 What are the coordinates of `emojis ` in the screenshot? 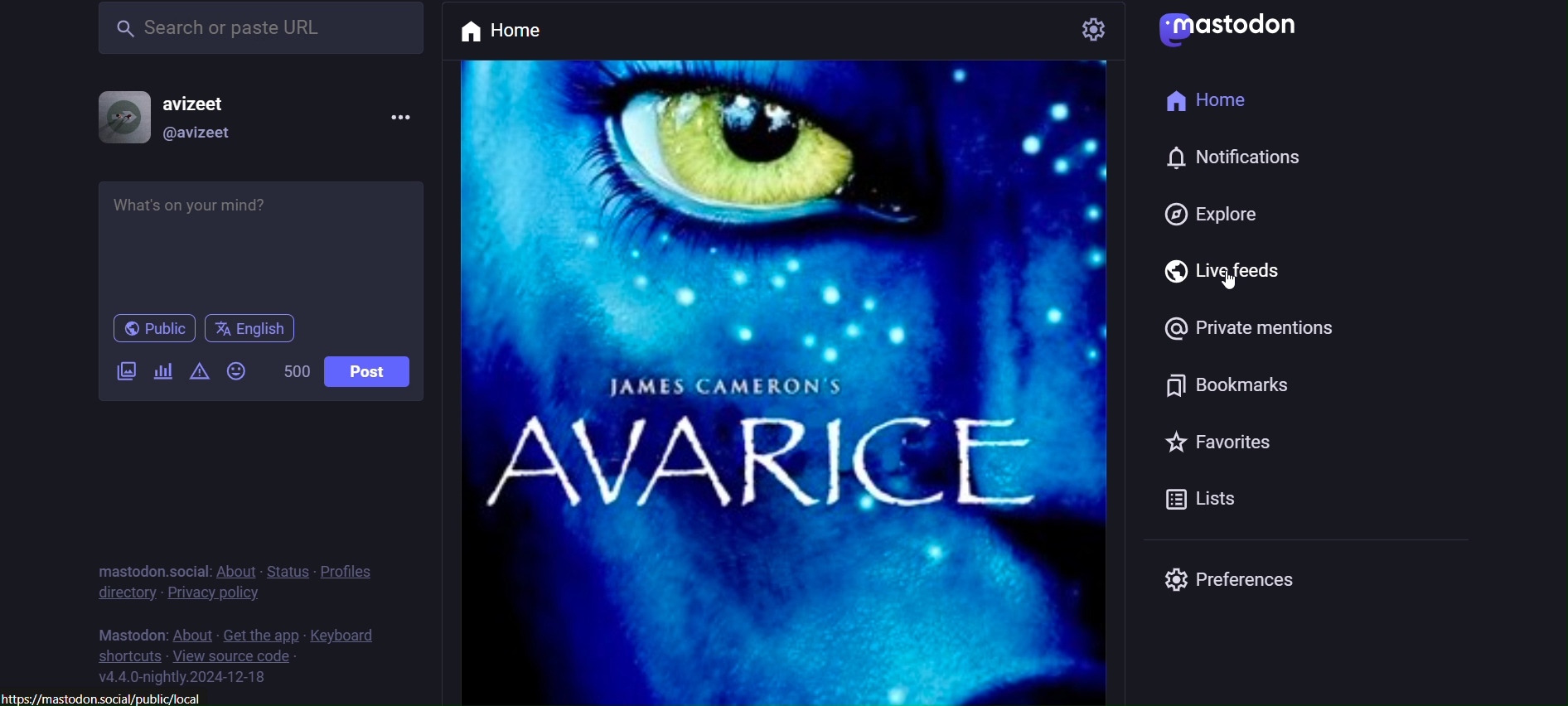 It's located at (236, 373).